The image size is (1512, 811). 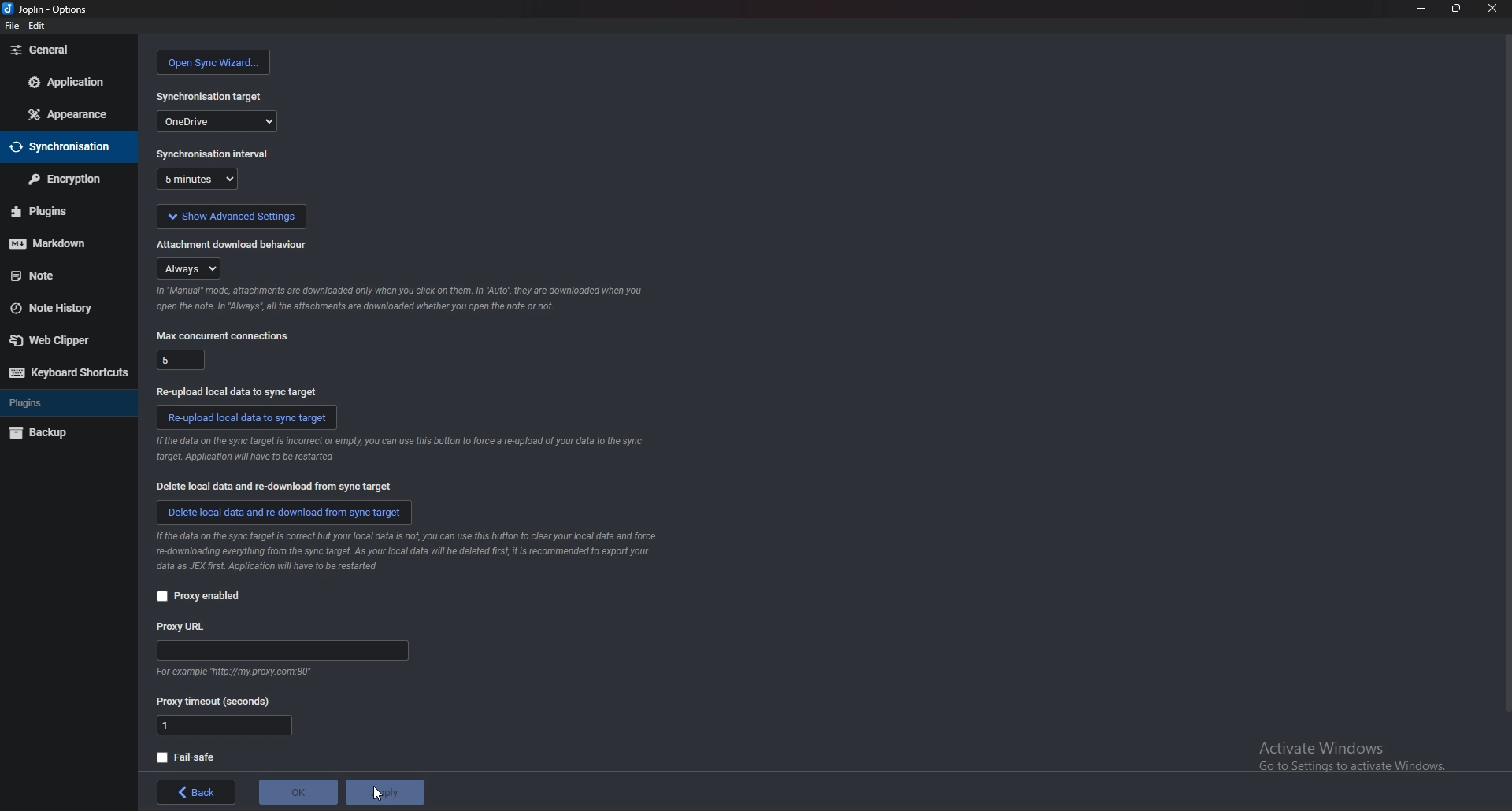 I want to click on sync interval, so click(x=212, y=154).